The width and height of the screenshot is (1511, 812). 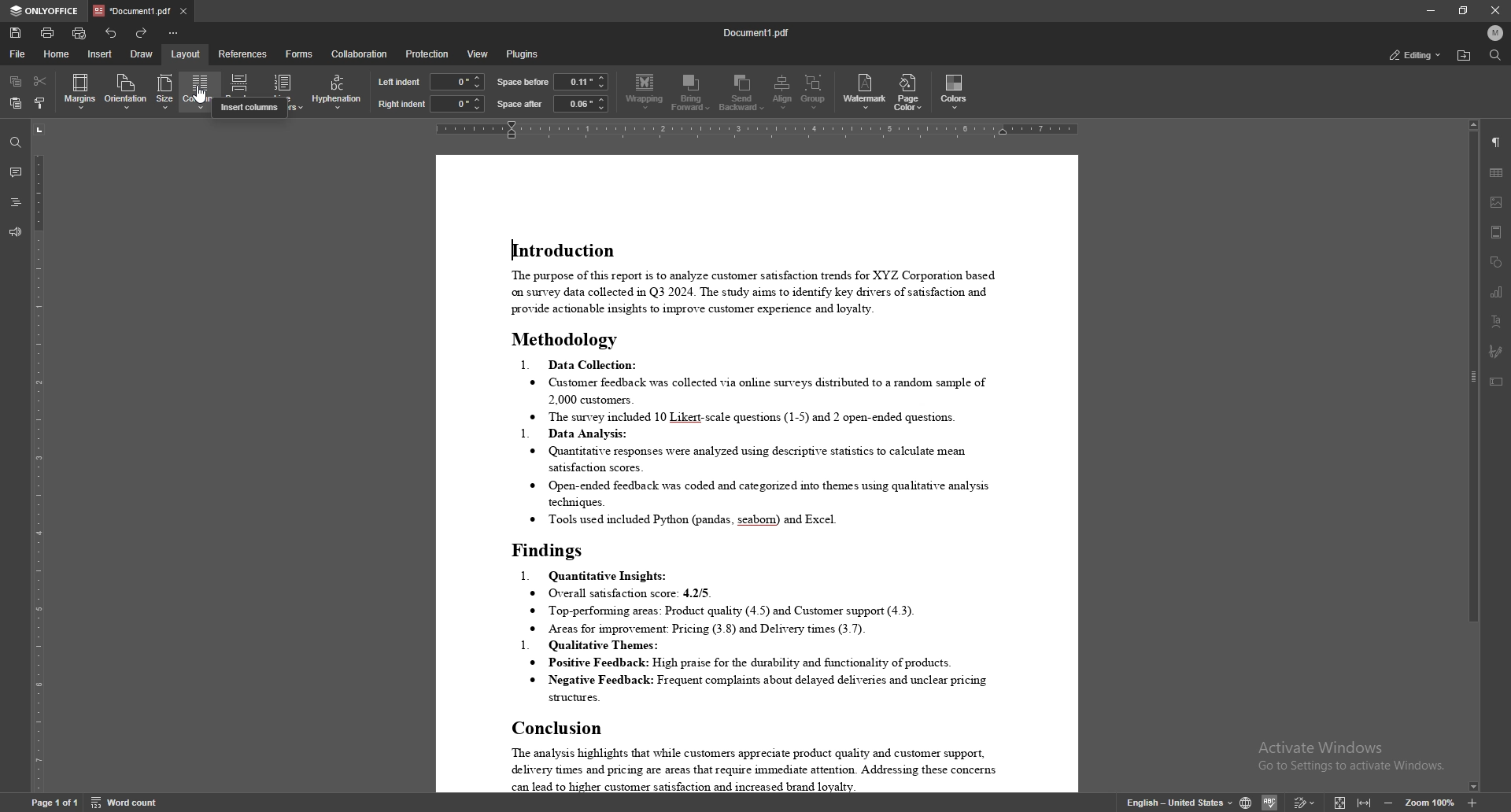 What do you see at coordinates (17, 103) in the screenshot?
I see `paste` at bounding box center [17, 103].